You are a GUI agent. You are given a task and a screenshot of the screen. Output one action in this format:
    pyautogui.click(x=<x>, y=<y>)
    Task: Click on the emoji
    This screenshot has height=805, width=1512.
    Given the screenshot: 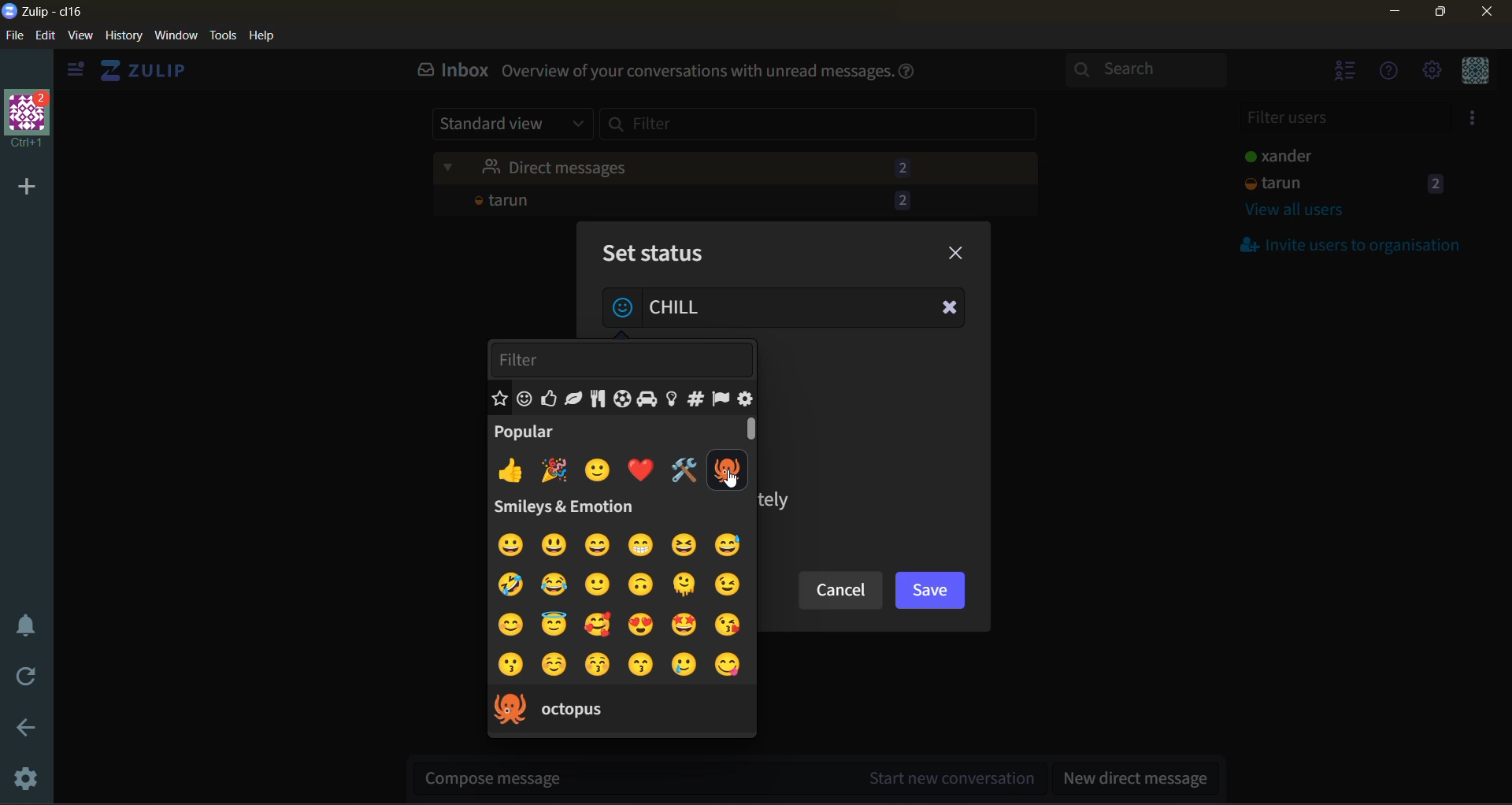 What is the action you would take?
    pyautogui.click(x=556, y=472)
    